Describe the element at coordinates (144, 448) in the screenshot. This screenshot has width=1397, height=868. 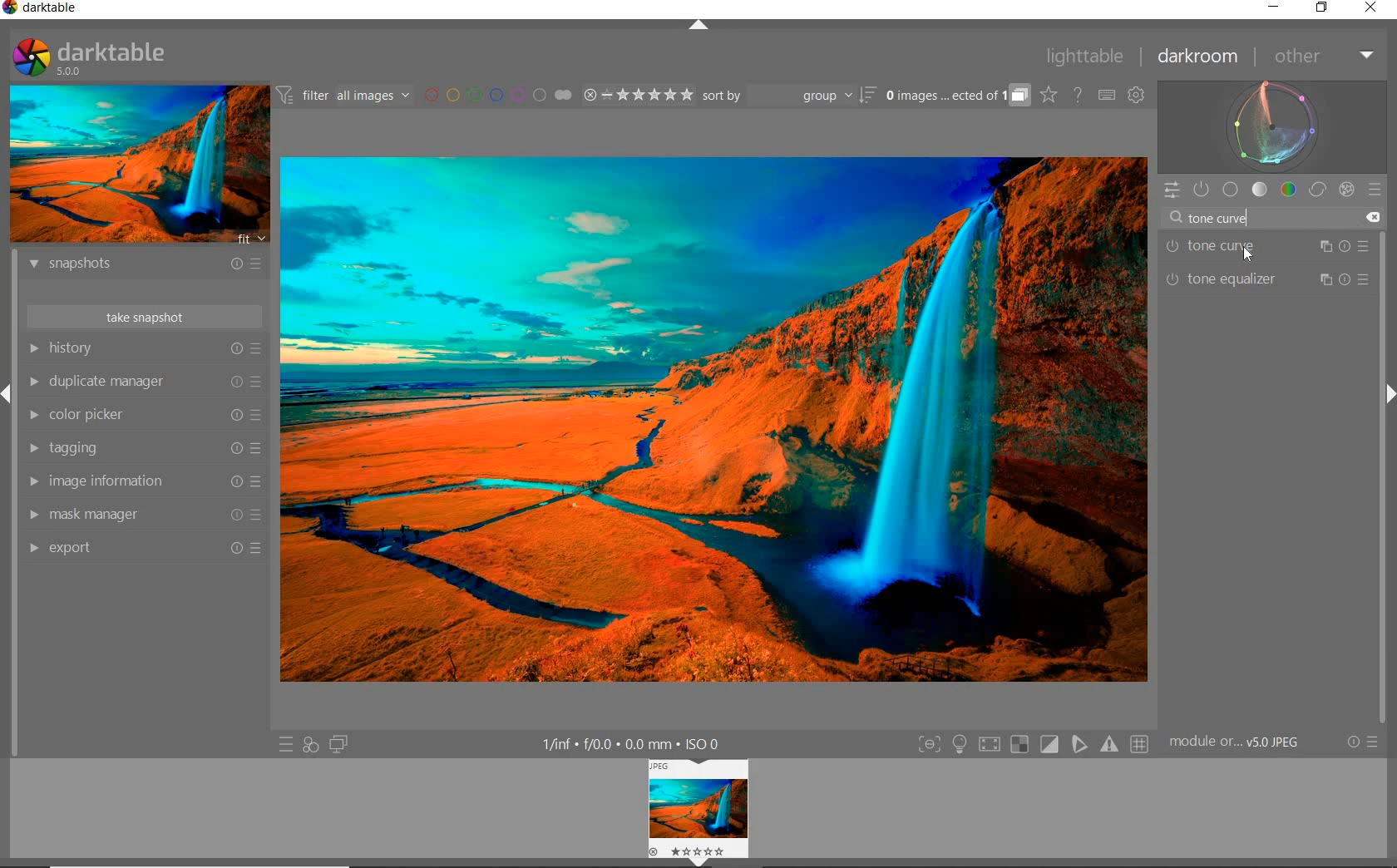
I see `tagging` at that location.